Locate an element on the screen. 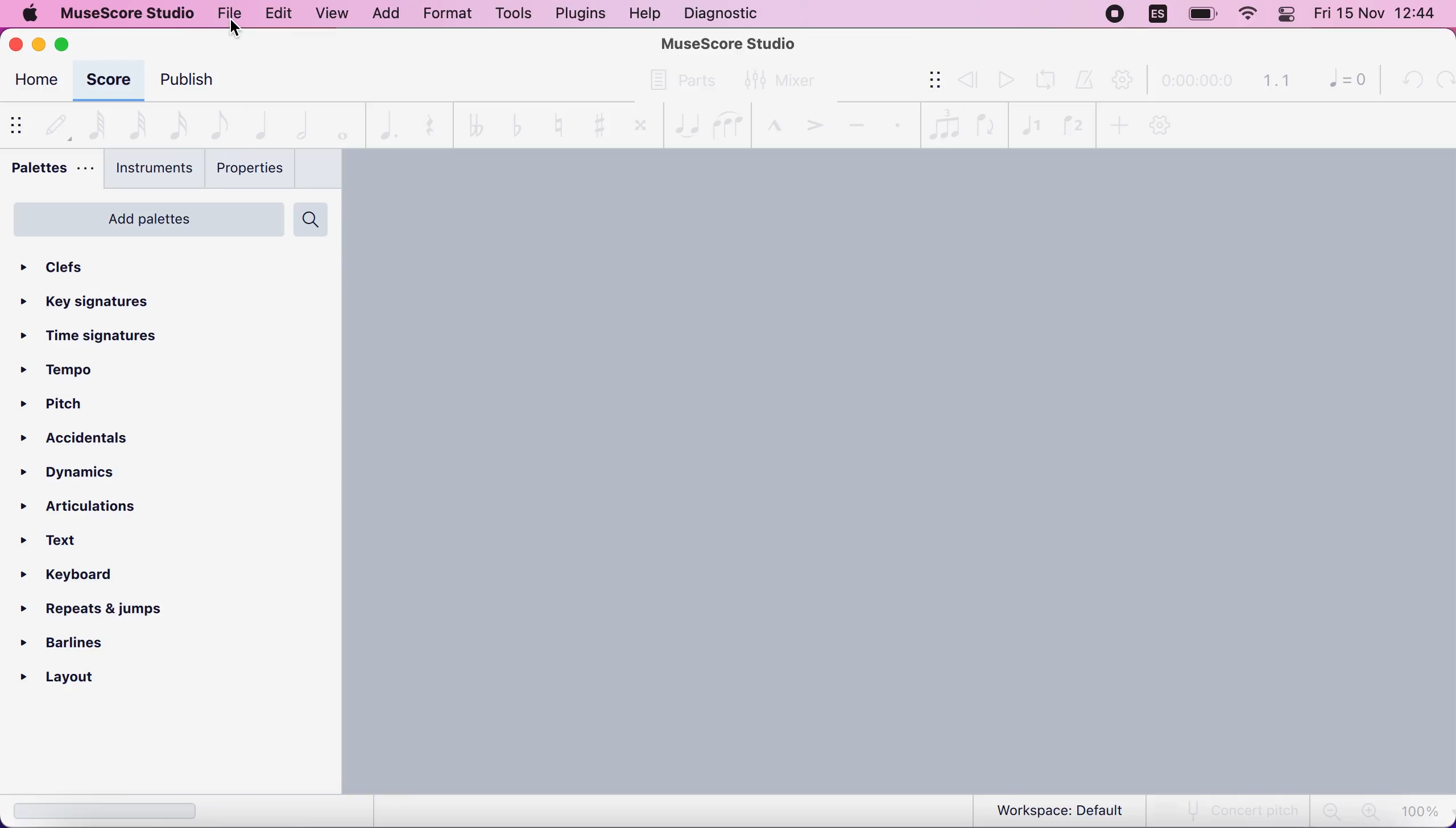 The width and height of the screenshot is (1456, 828). Fri 15 Nov 12:44 is located at coordinates (1379, 15).